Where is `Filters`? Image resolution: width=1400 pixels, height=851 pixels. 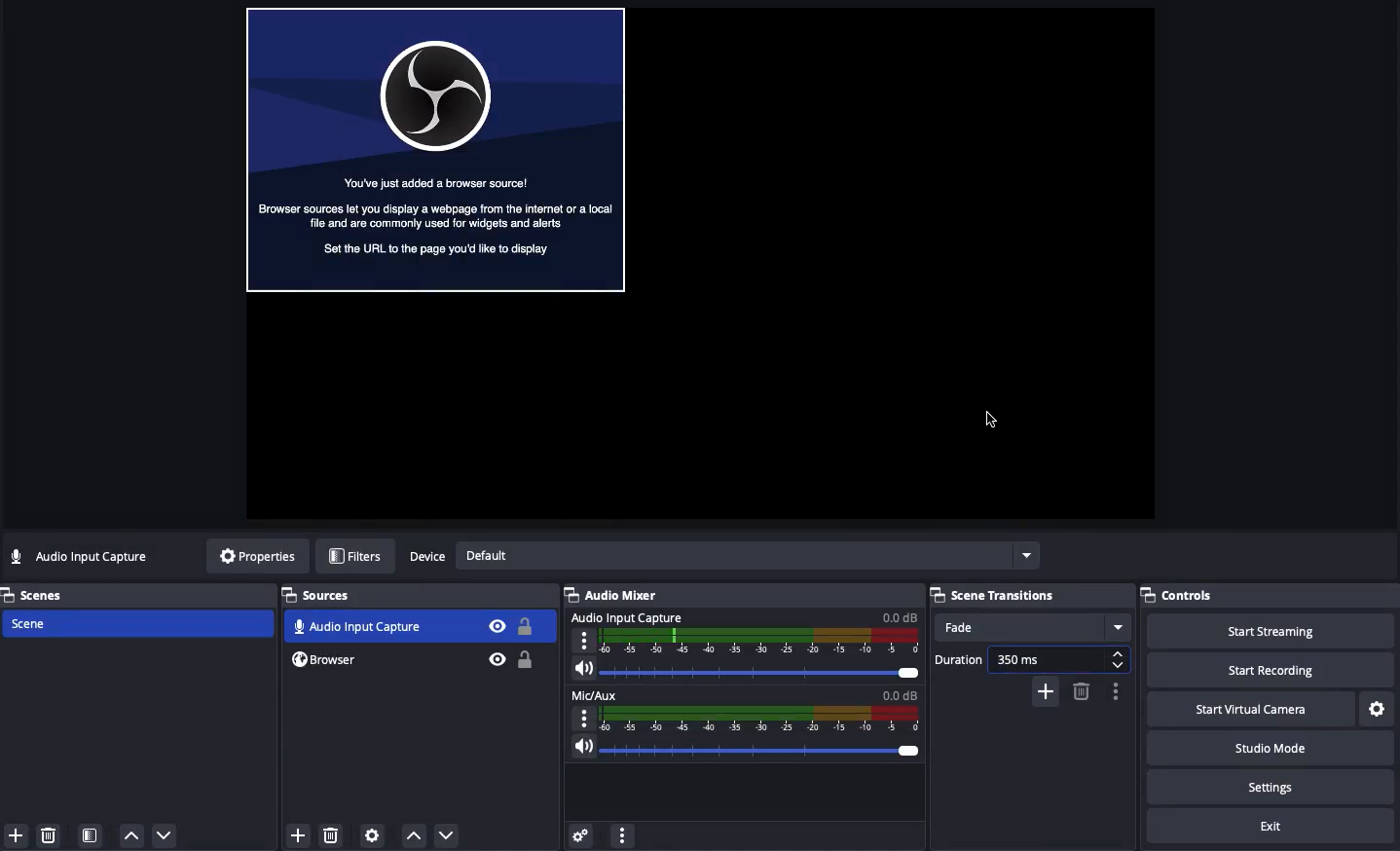 Filters is located at coordinates (358, 556).